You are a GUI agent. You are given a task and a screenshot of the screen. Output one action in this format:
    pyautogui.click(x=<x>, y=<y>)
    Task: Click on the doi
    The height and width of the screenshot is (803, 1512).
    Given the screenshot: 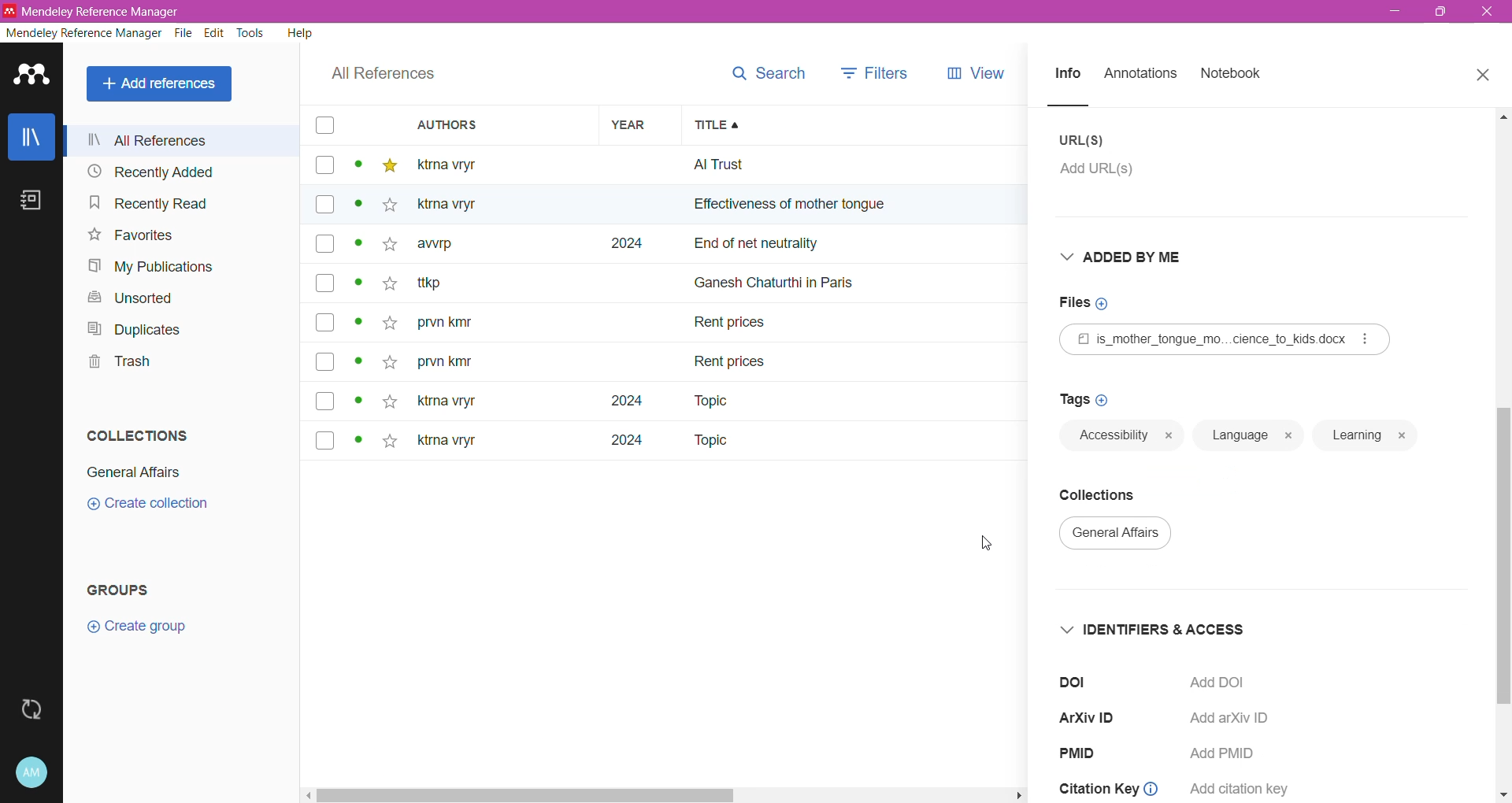 What is the action you would take?
    pyautogui.click(x=1074, y=686)
    